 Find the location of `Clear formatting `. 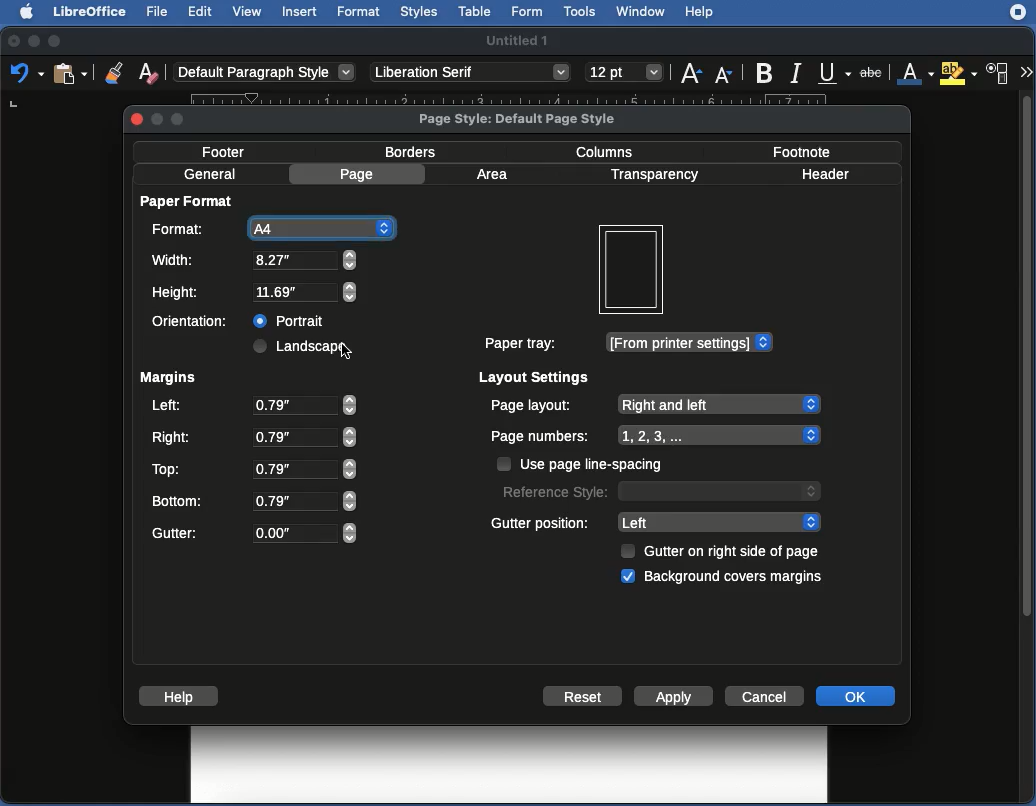

Clear formatting  is located at coordinates (148, 75).